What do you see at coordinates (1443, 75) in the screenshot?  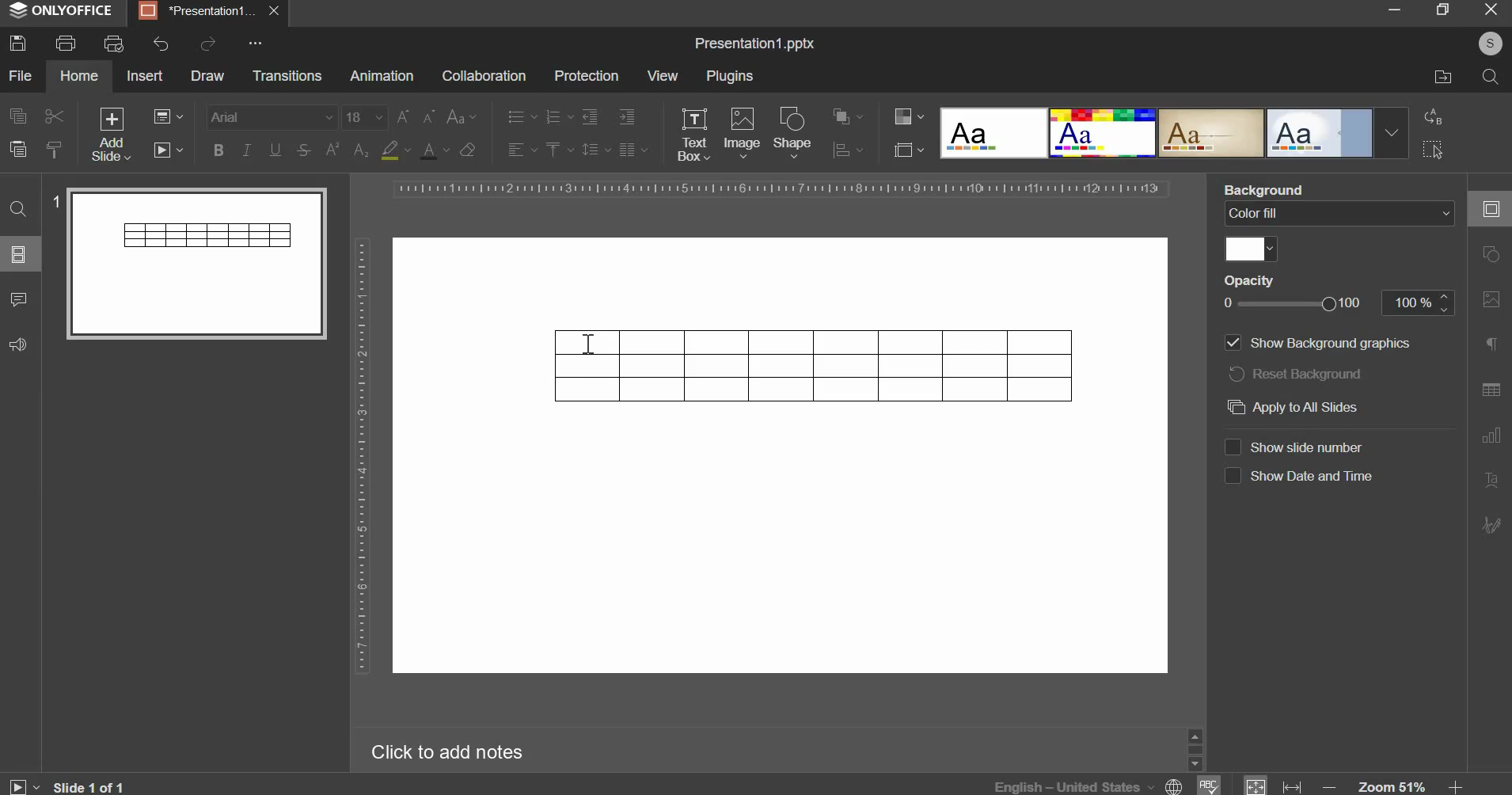 I see `file location` at bounding box center [1443, 75].